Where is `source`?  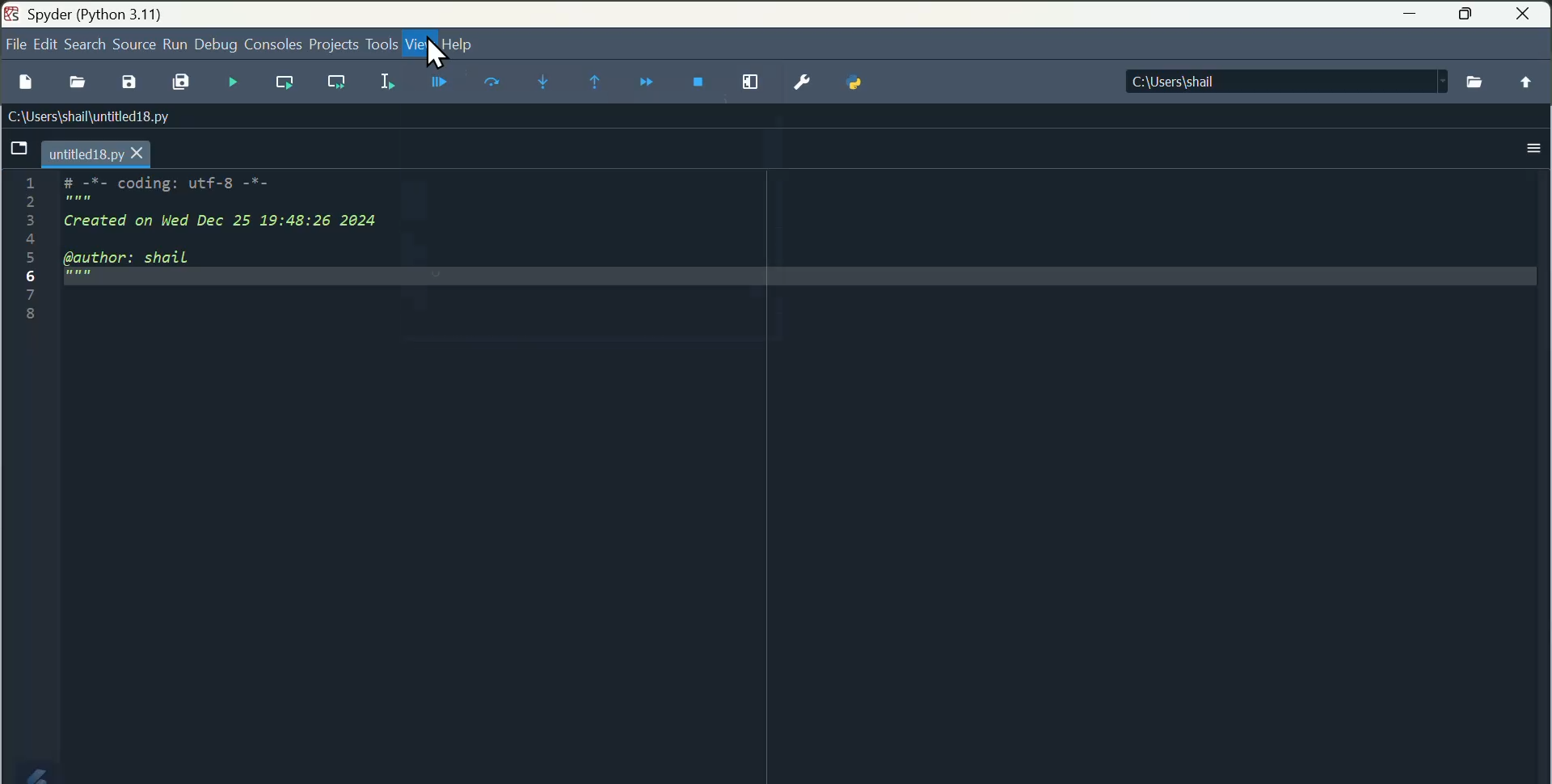
source is located at coordinates (131, 43).